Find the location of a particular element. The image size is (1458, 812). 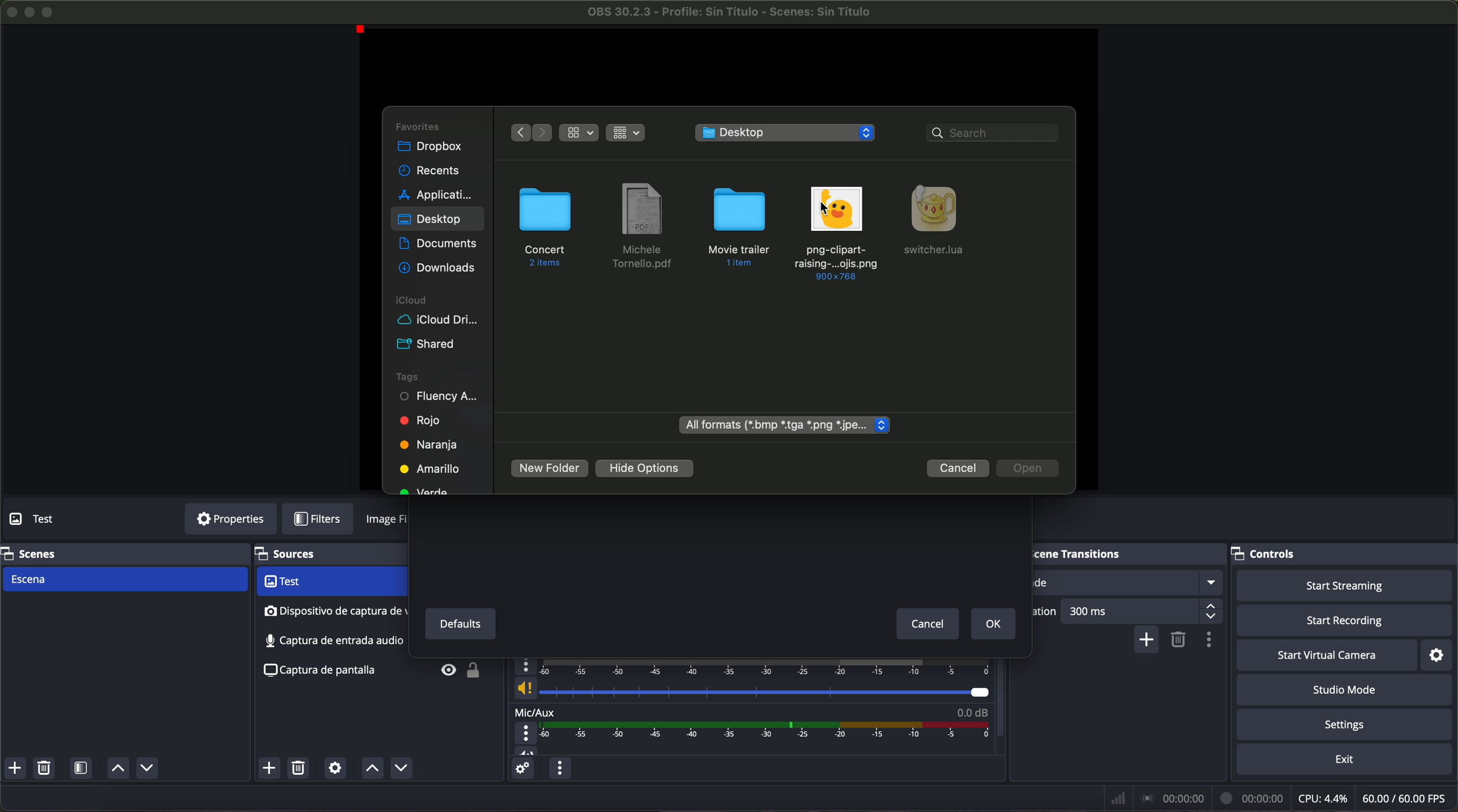

search bar is located at coordinates (994, 132).